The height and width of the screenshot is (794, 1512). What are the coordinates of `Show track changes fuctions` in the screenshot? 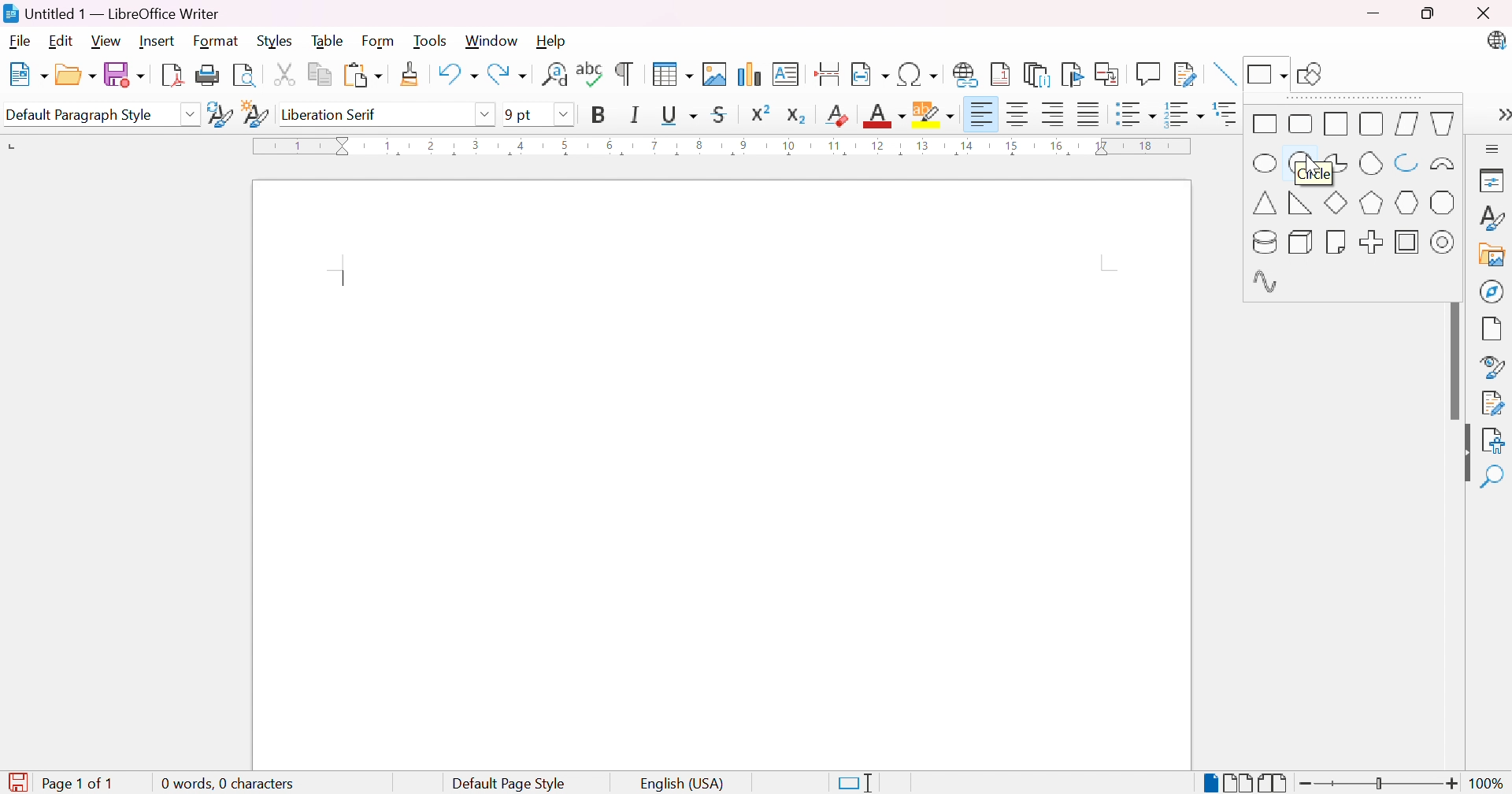 It's located at (1185, 76).